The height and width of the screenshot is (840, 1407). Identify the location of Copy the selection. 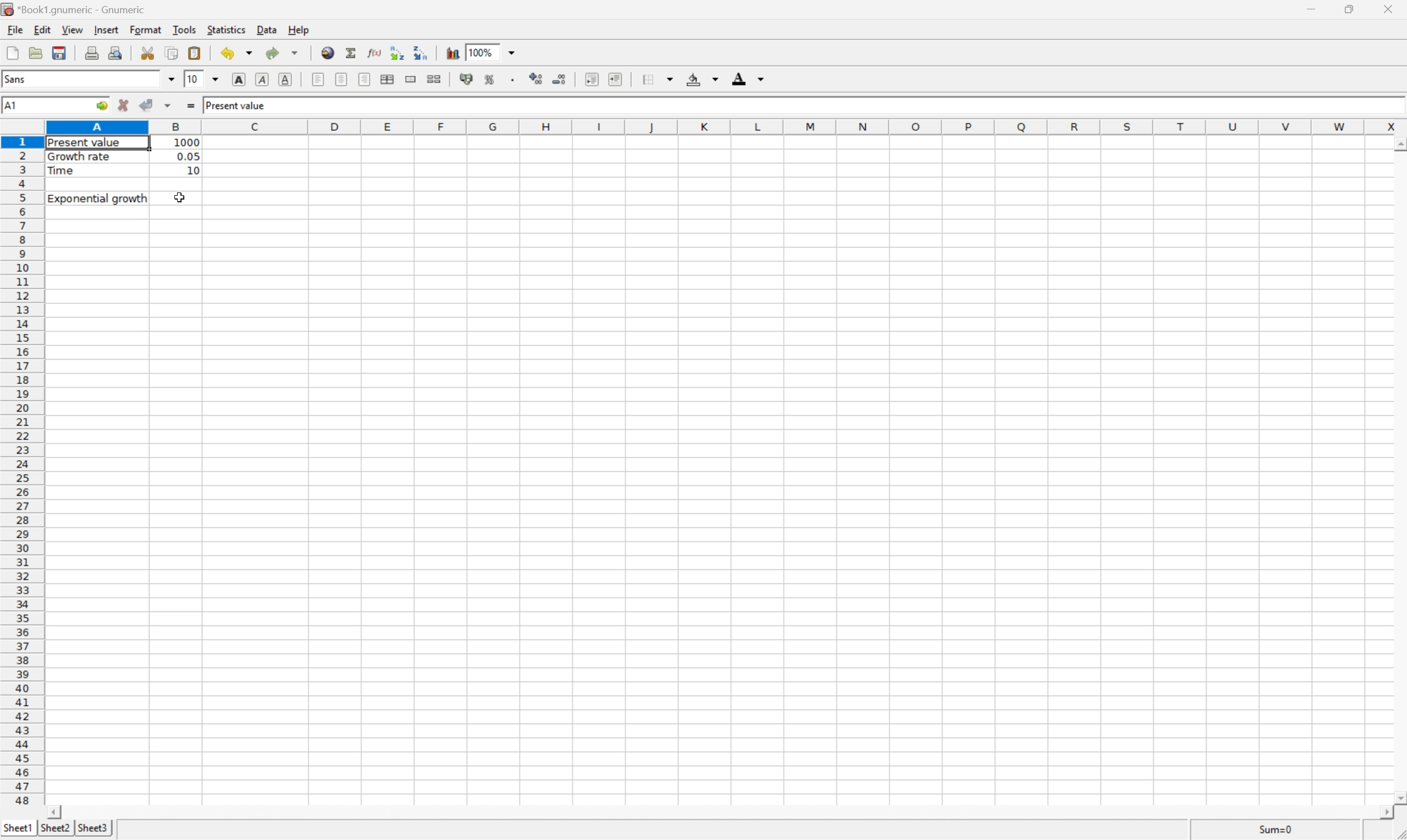
(172, 52).